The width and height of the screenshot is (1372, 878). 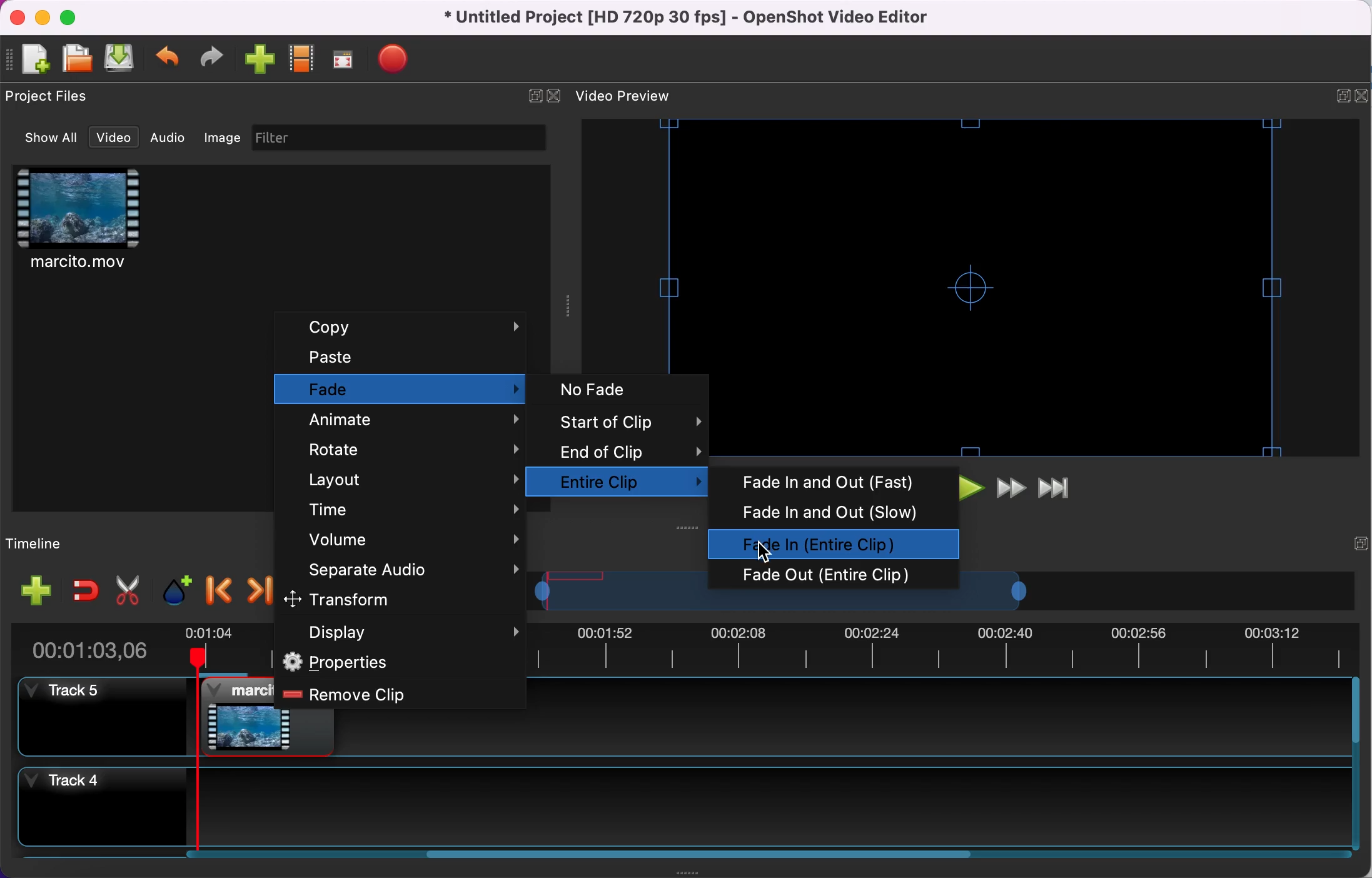 I want to click on video preview, so click(x=645, y=98).